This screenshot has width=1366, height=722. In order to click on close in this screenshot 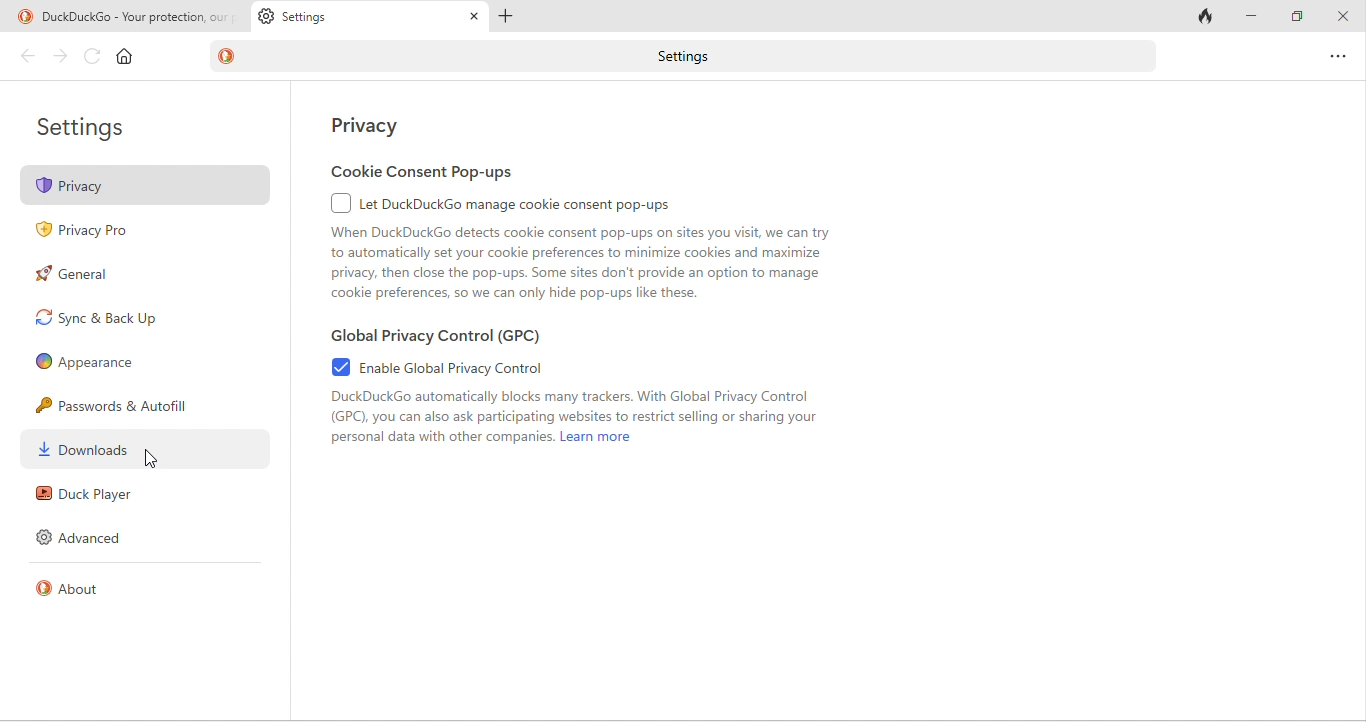, I will do `click(1341, 16)`.